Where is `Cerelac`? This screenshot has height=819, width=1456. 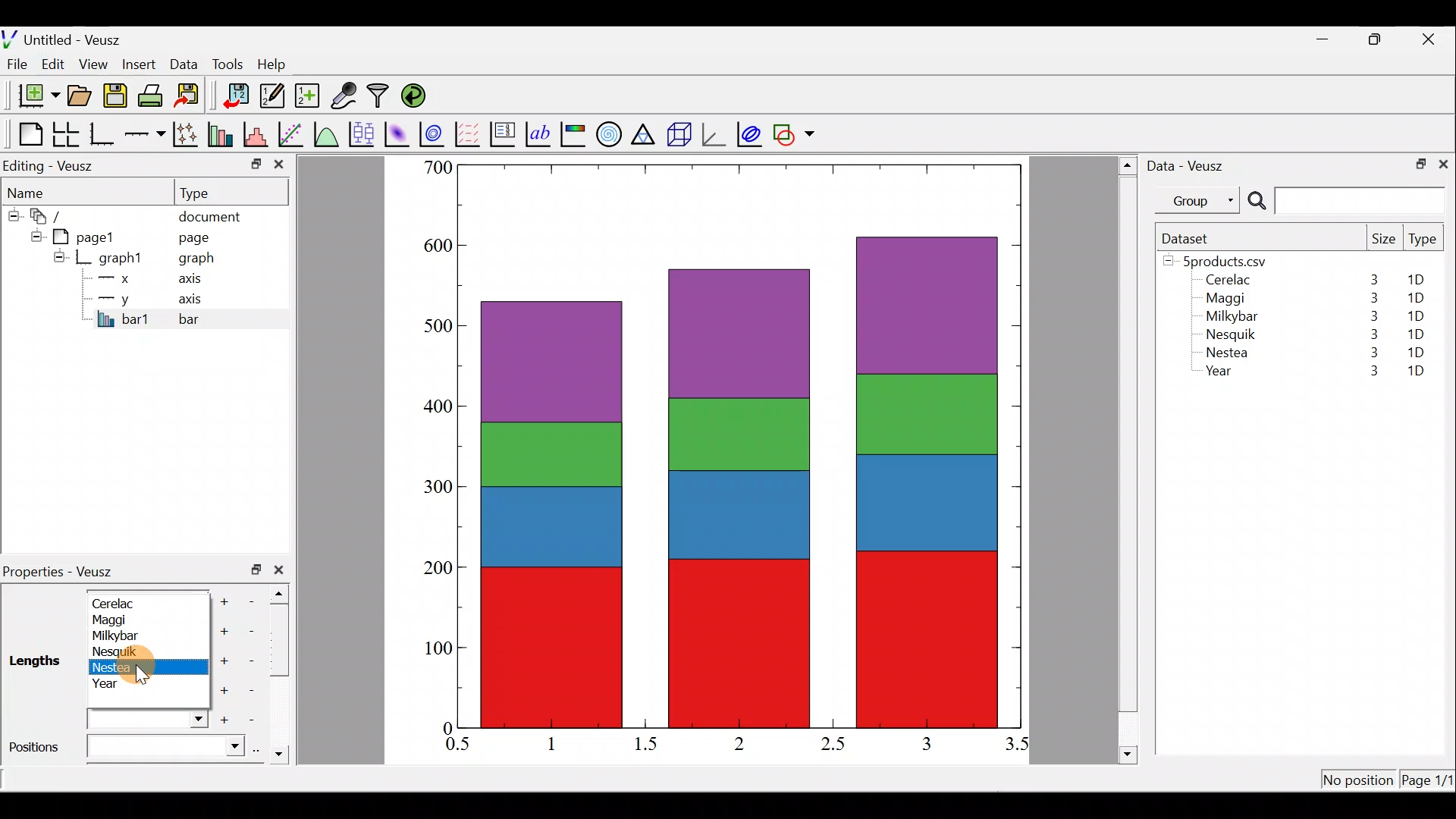 Cerelac is located at coordinates (121, 600).